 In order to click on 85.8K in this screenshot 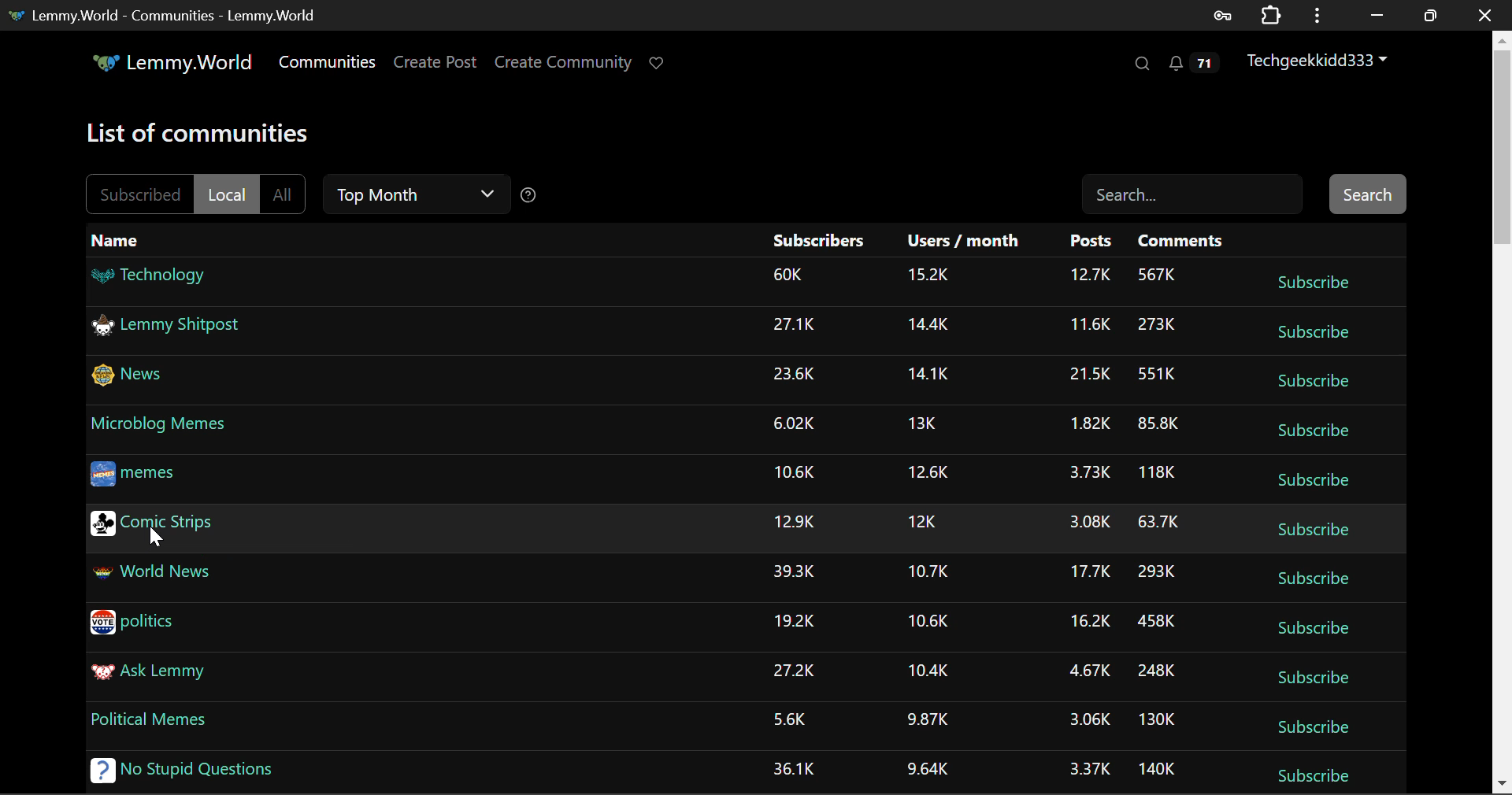, I will do `click(1158, 423)`.